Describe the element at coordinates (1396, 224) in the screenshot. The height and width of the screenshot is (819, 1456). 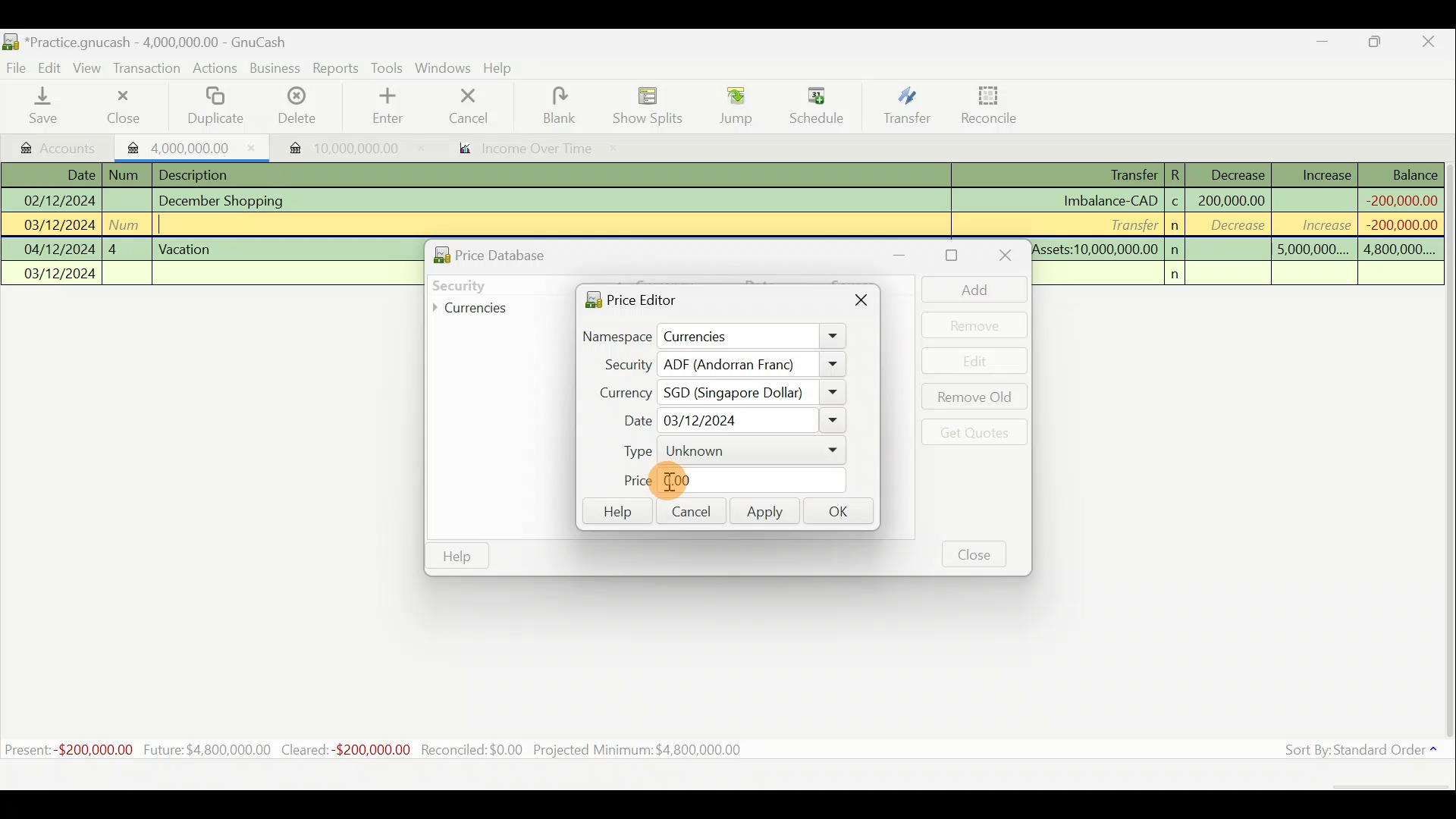
I see `-200,000,000` at that location.